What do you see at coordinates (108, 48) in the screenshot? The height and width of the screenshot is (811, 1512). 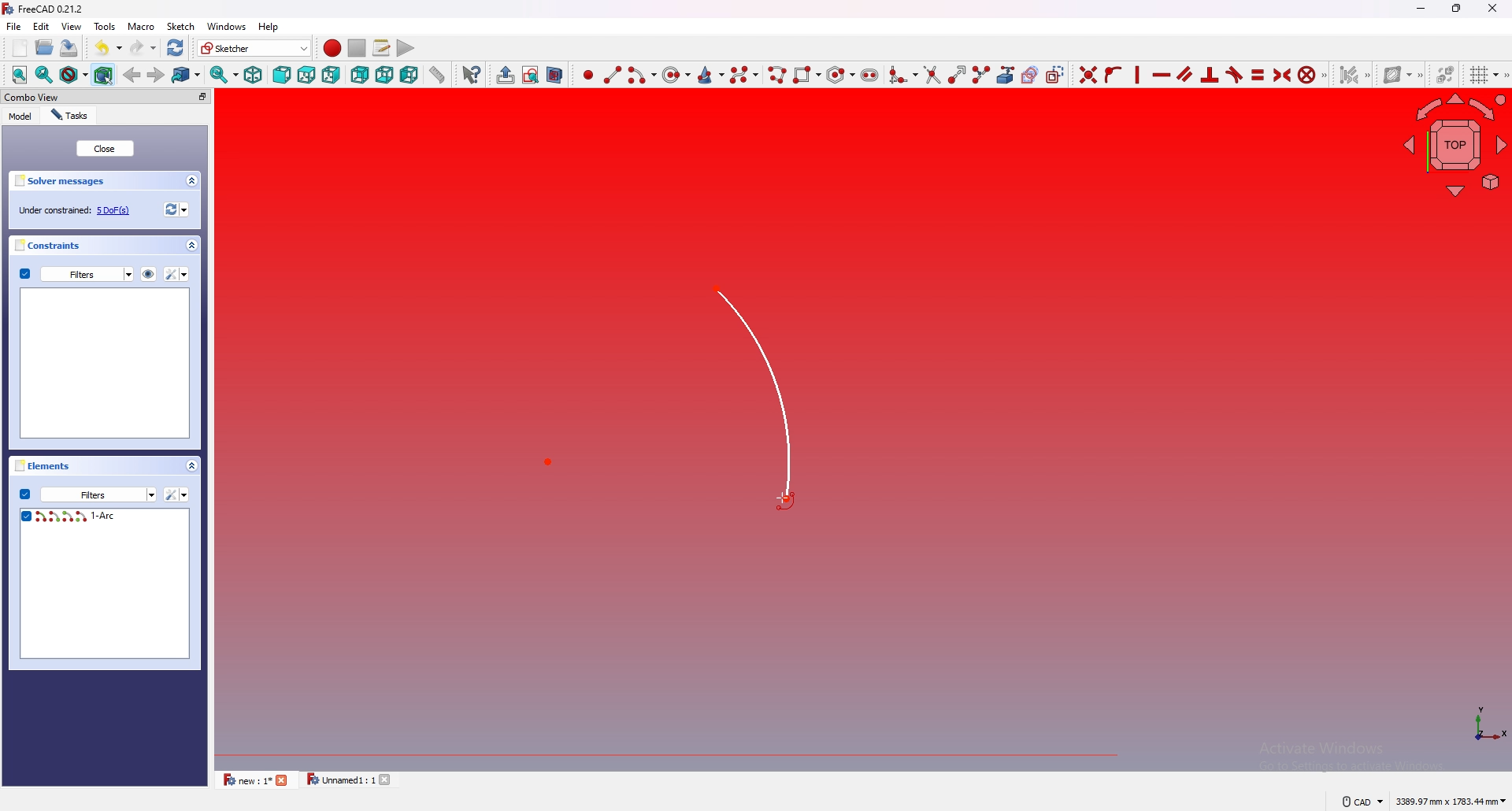 I see `undo` at bounding box center [108, 48].